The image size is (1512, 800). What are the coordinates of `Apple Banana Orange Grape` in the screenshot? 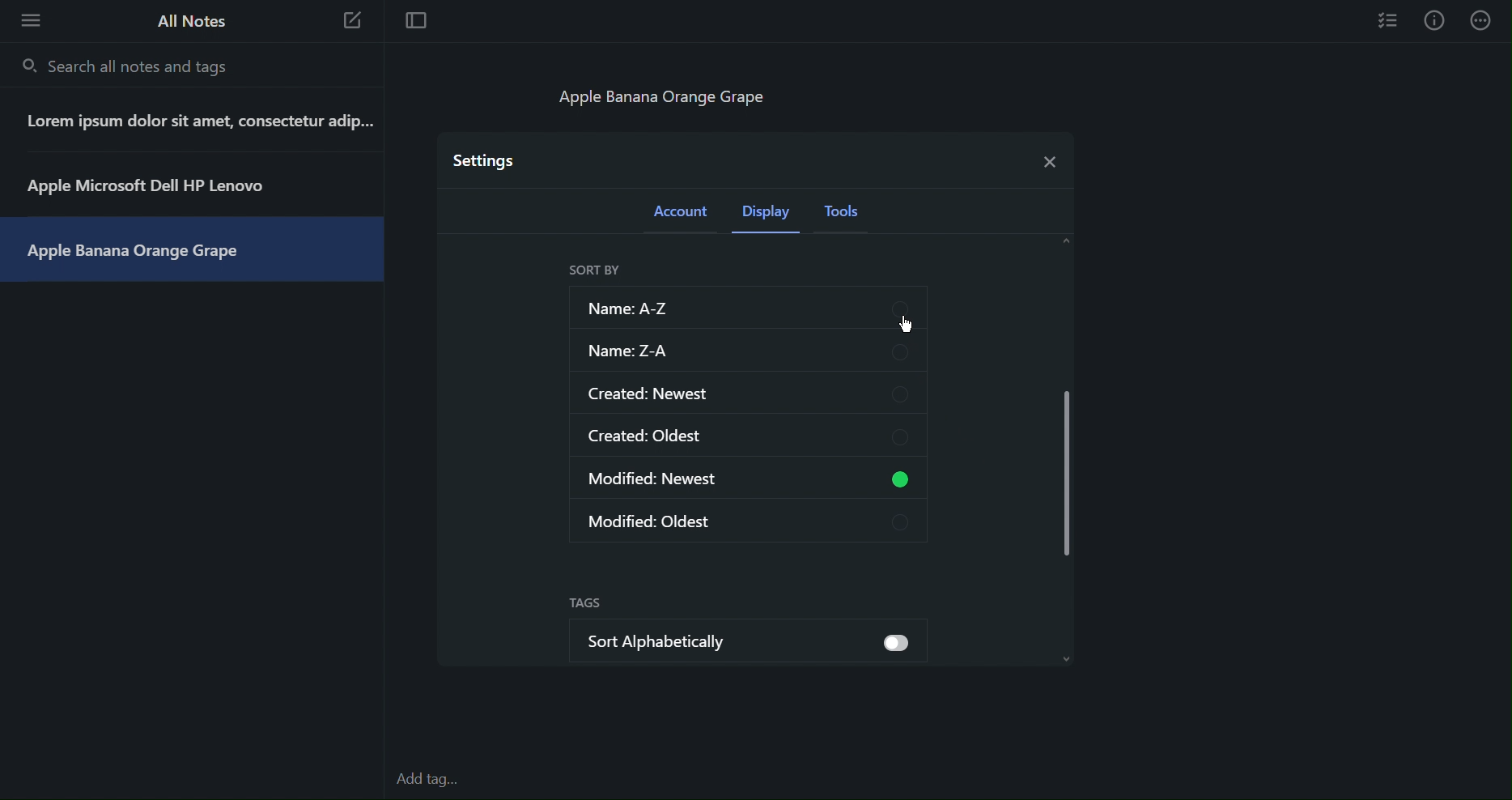 It's located at (666, 100).